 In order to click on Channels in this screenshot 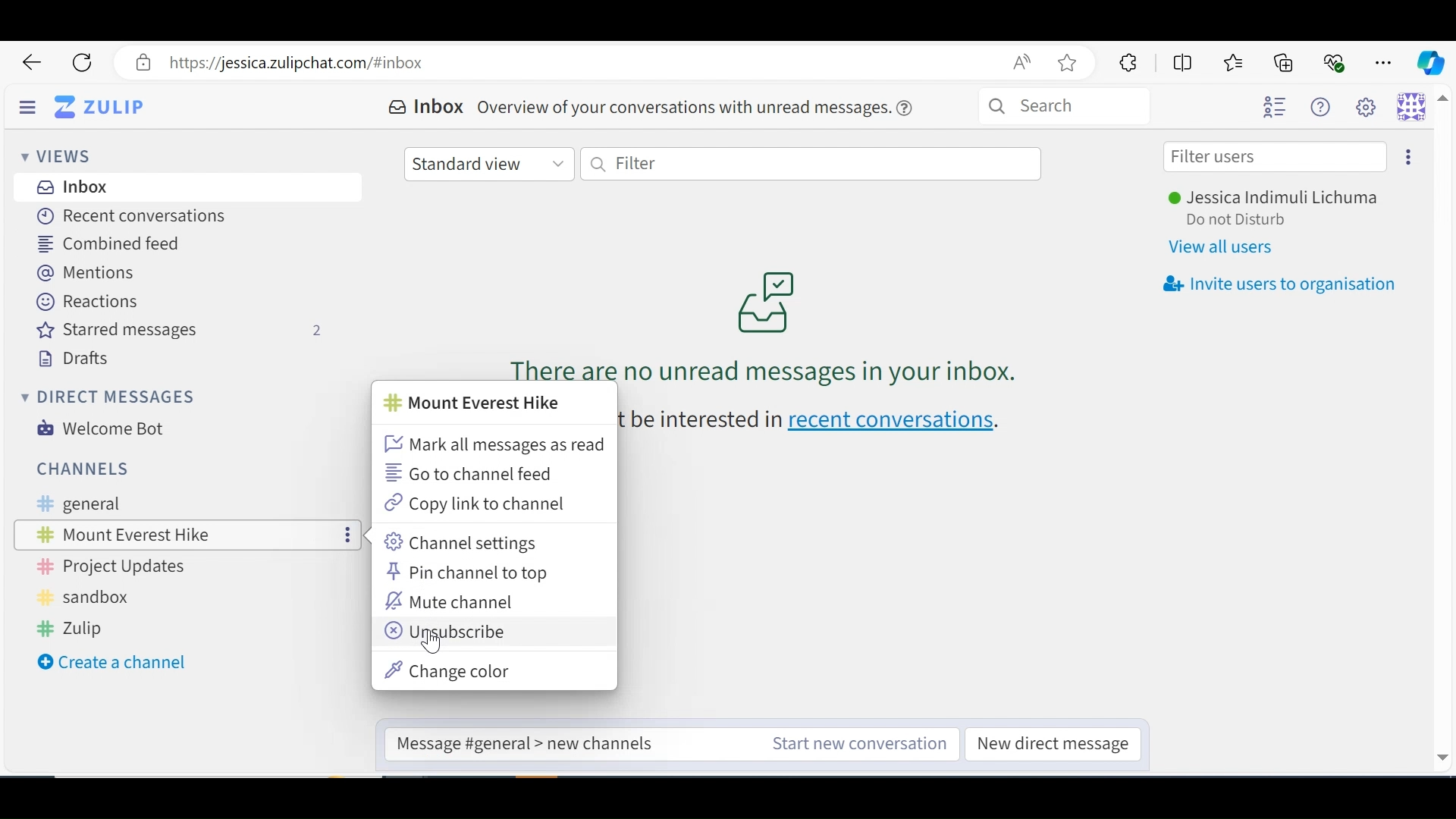, I will do `click(89, 469)`.